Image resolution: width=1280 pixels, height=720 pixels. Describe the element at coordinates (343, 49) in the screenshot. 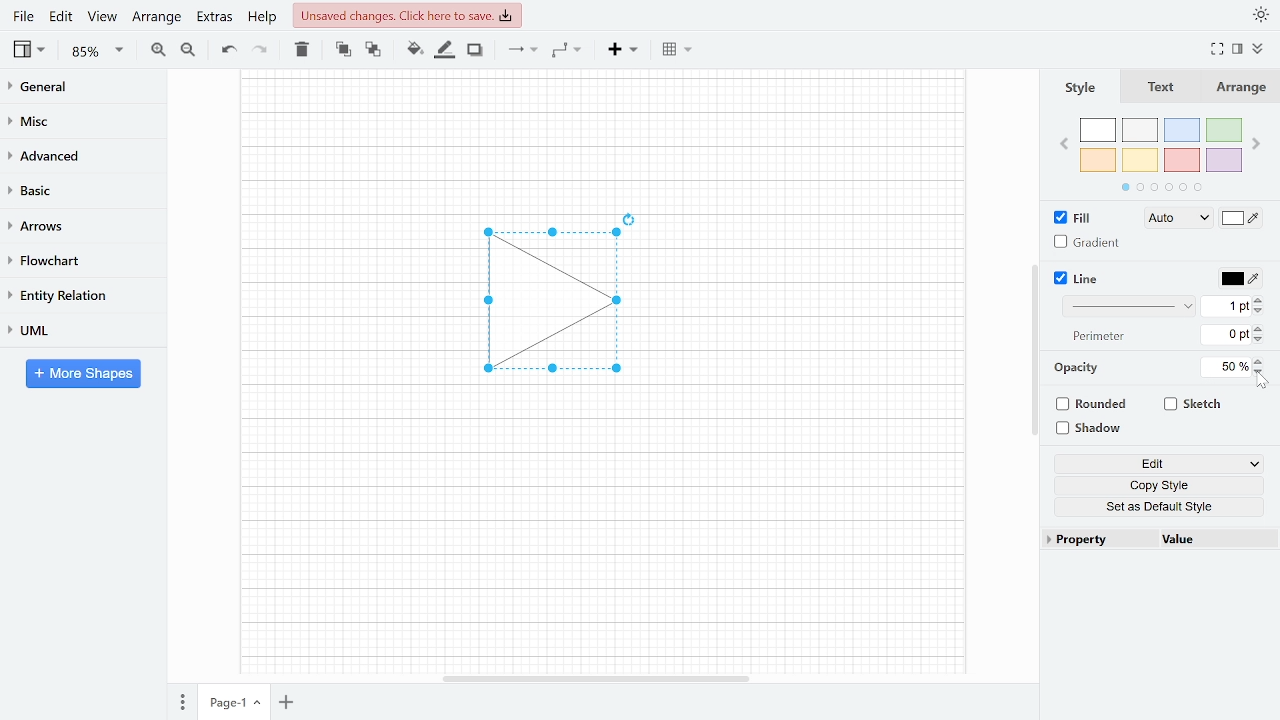

I see `To front` at that location.